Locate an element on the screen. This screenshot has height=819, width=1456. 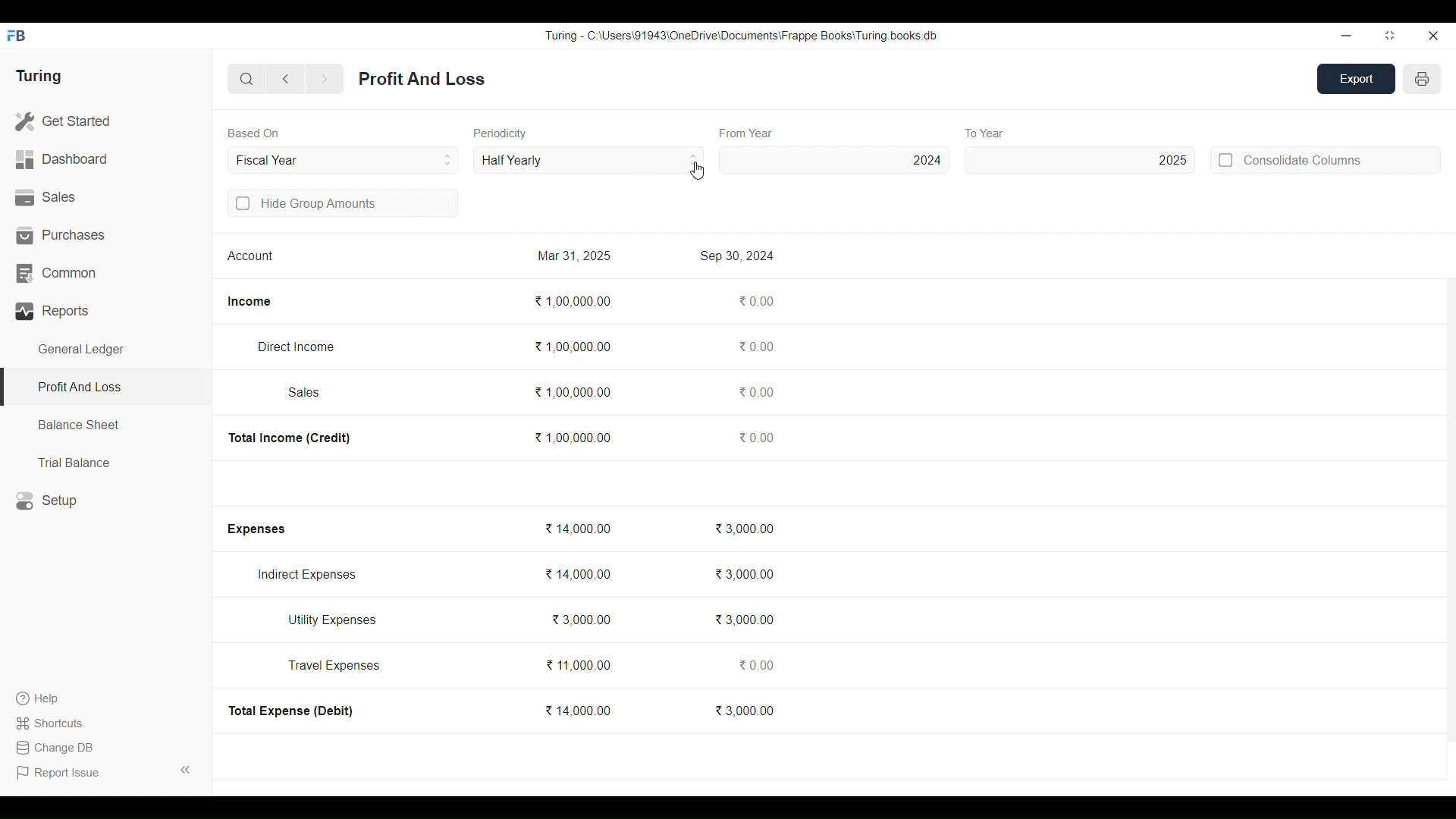
3,000.00 is located at coordinates (744, 574).